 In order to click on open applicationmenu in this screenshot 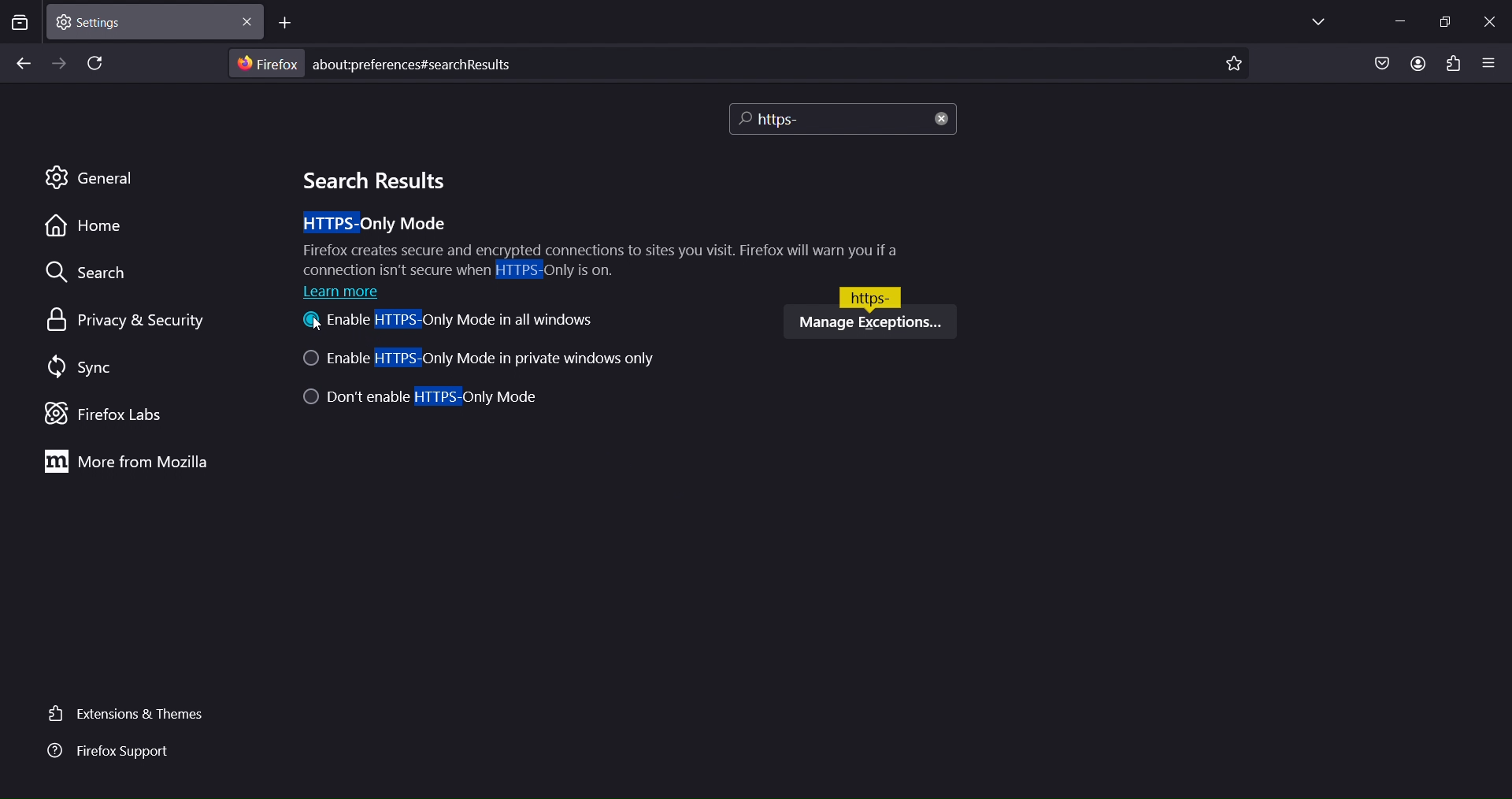, I will do `click(1489, 61)`.